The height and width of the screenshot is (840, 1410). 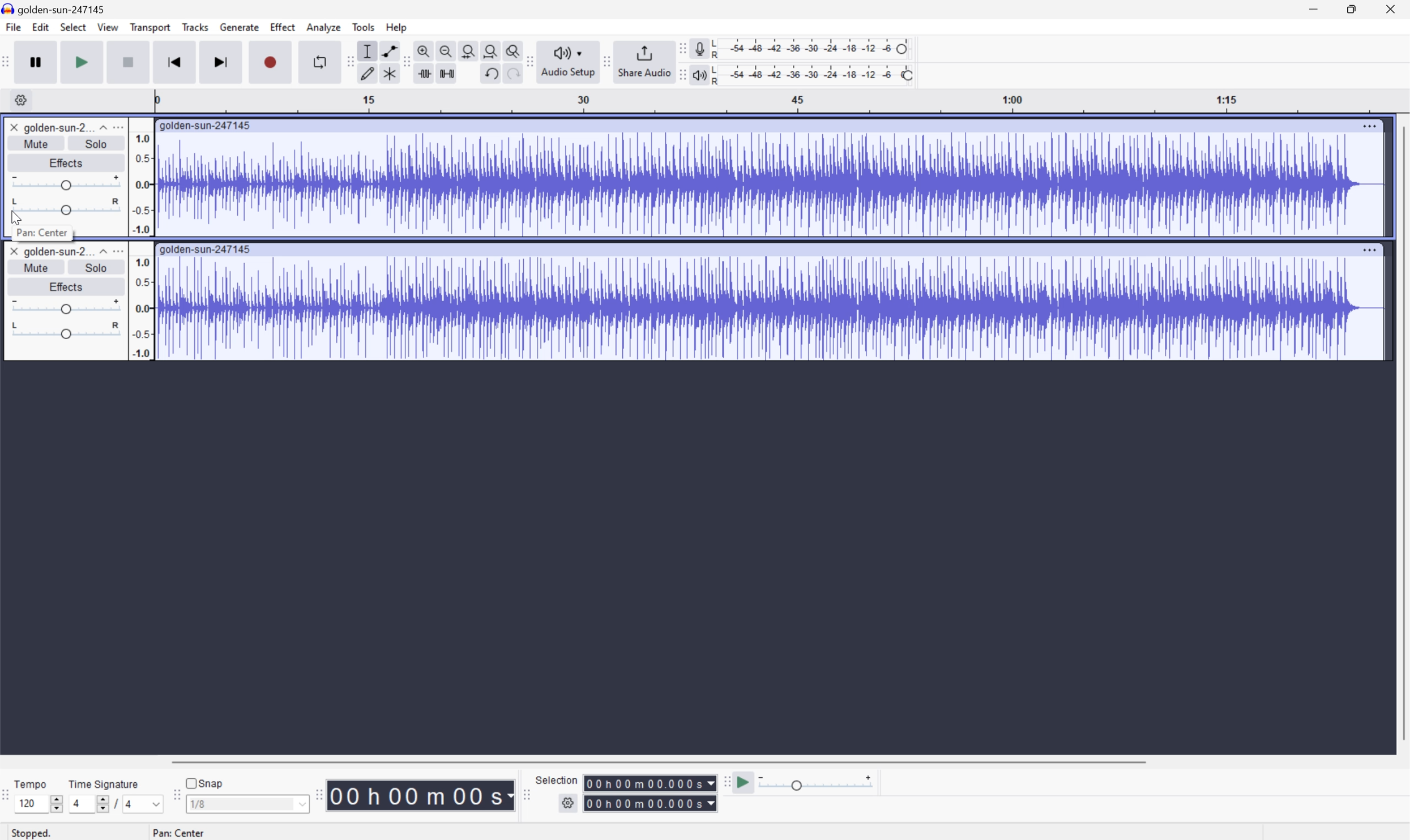 I want to click on Solo, so click(x=100, y=267).